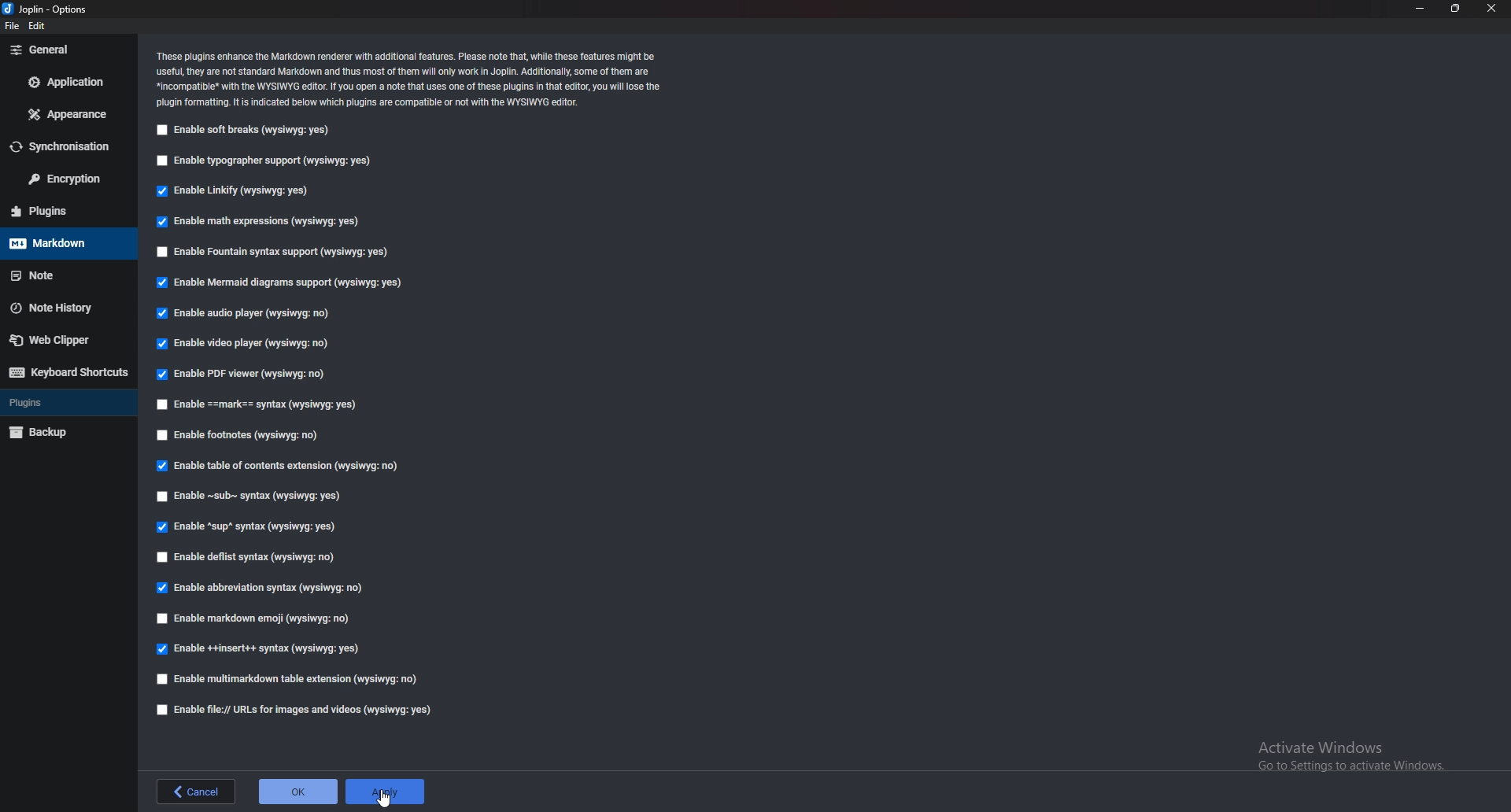 Image resolution: width=1511 pixels, height=812 pixels. What do you see at coordinates (244, 374) in the screenshot?
I see `Enable PDF viewer` at bounding box center [244, 374].